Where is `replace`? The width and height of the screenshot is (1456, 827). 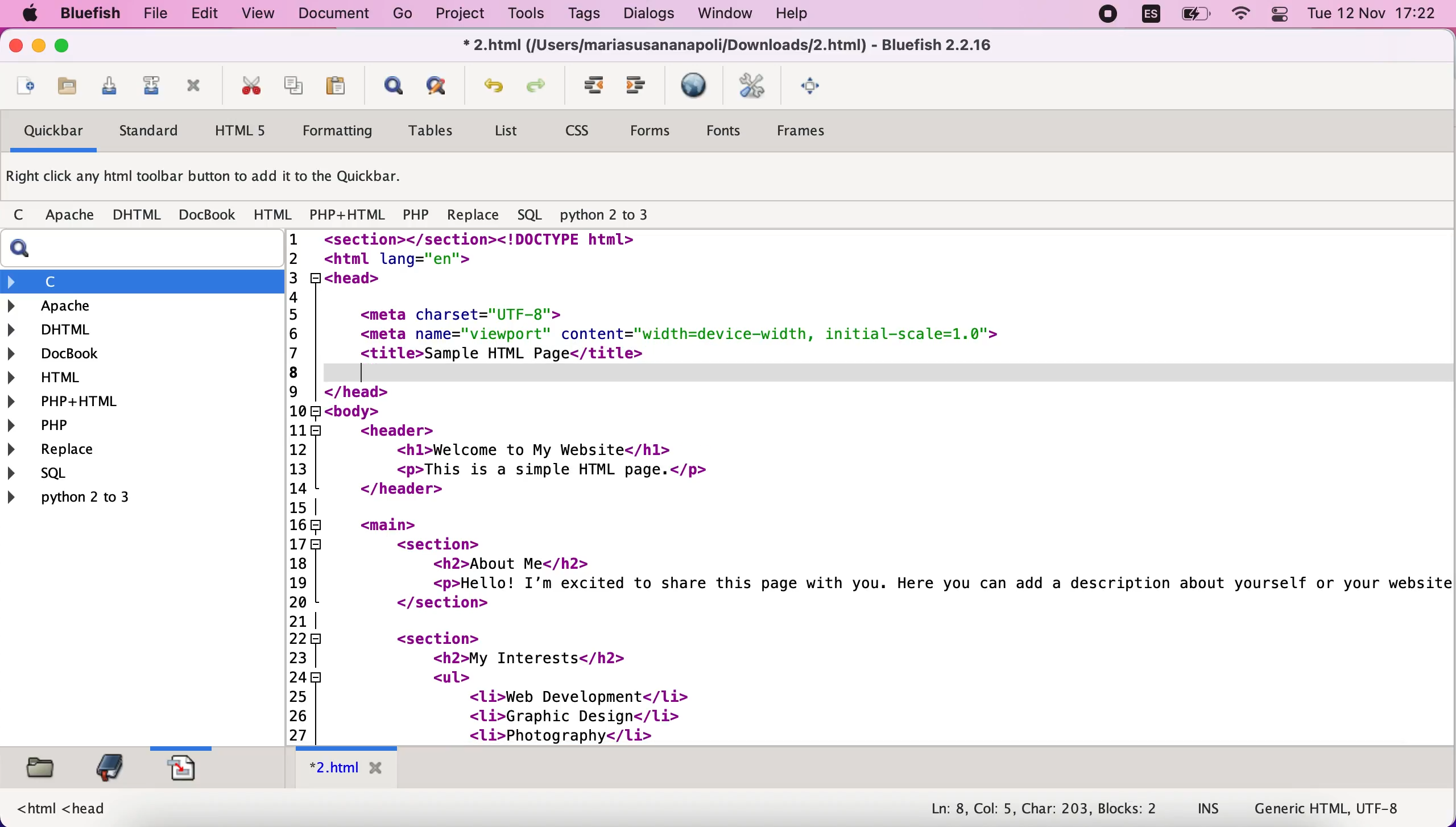 replace is located at coordinates (476, 214).